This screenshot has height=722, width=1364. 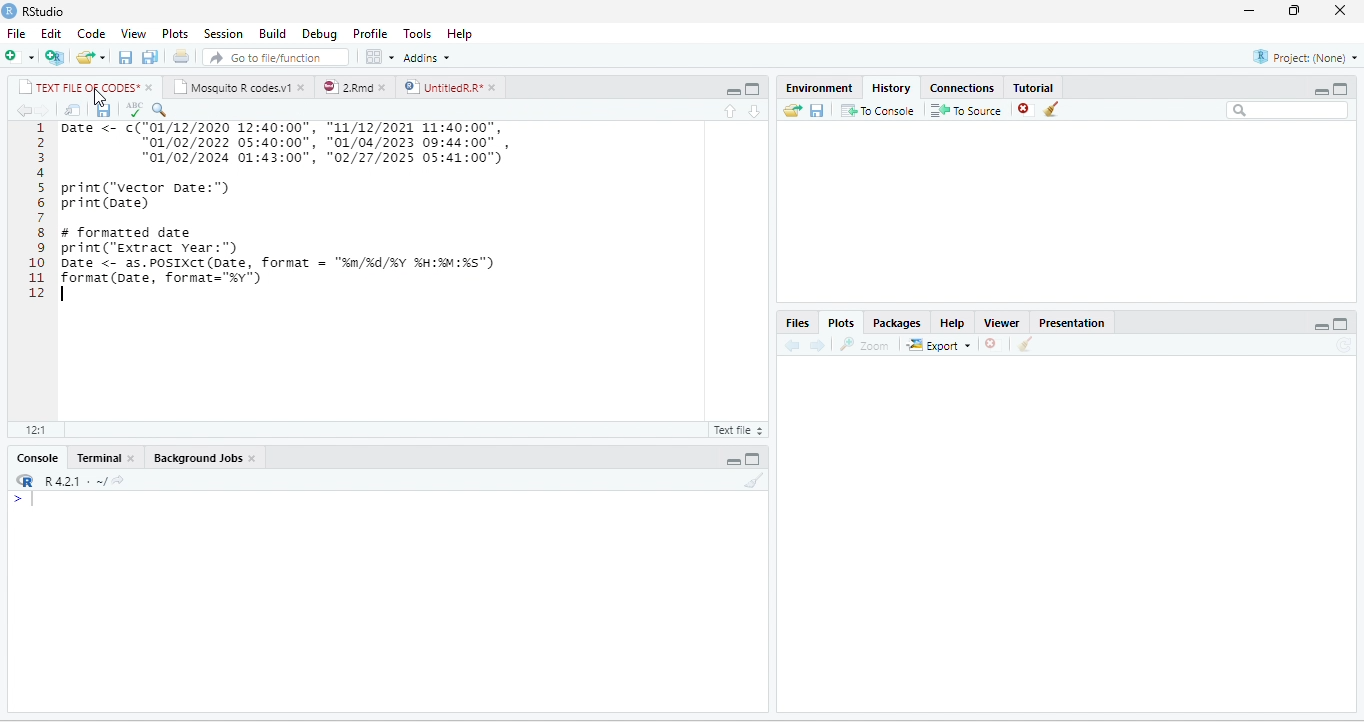 I want to click on Debug, so click(x=321, y=34).